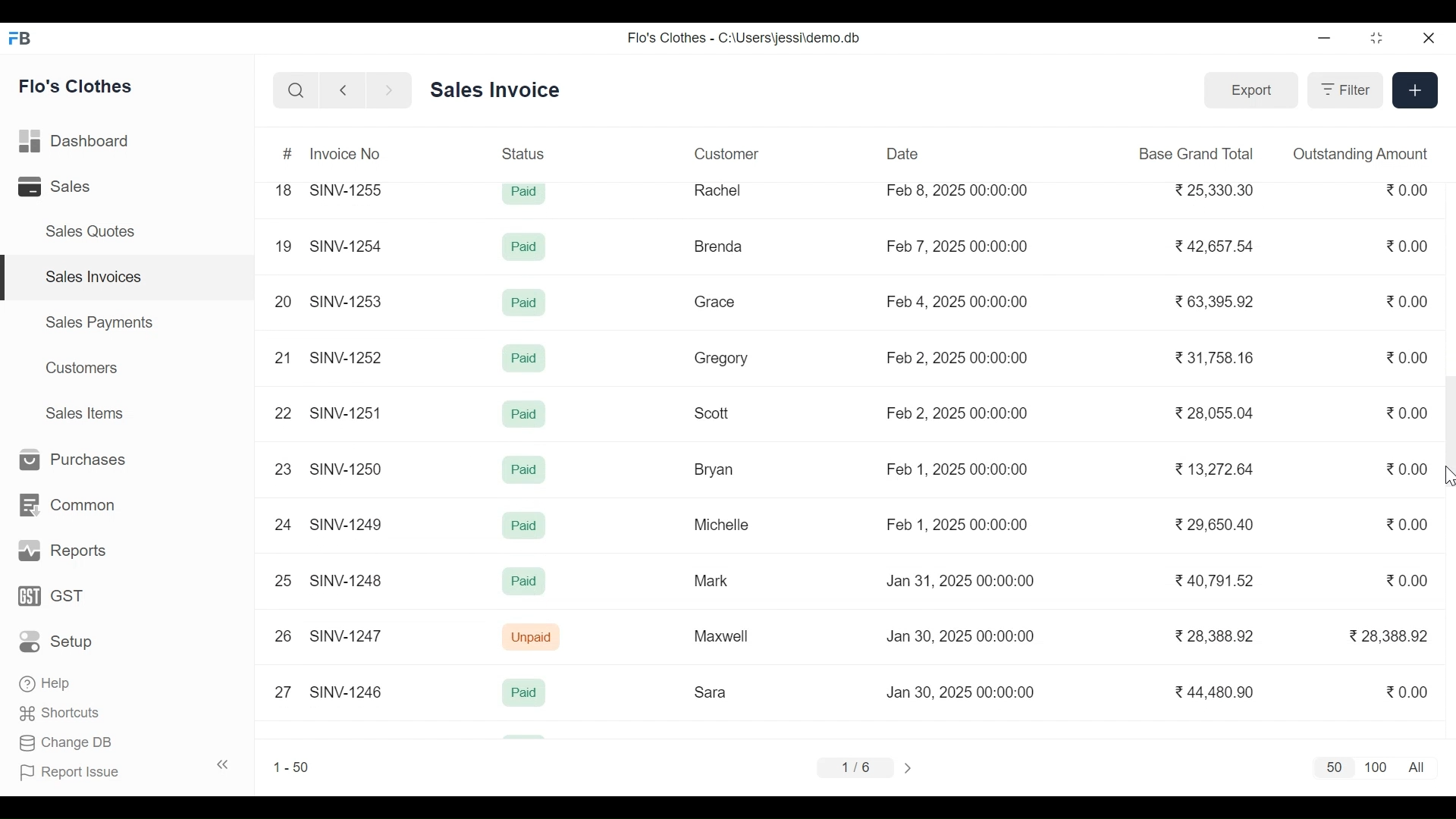 This screenshot has width=1456, height=819. I want to click on Paid, so click(526, 303).